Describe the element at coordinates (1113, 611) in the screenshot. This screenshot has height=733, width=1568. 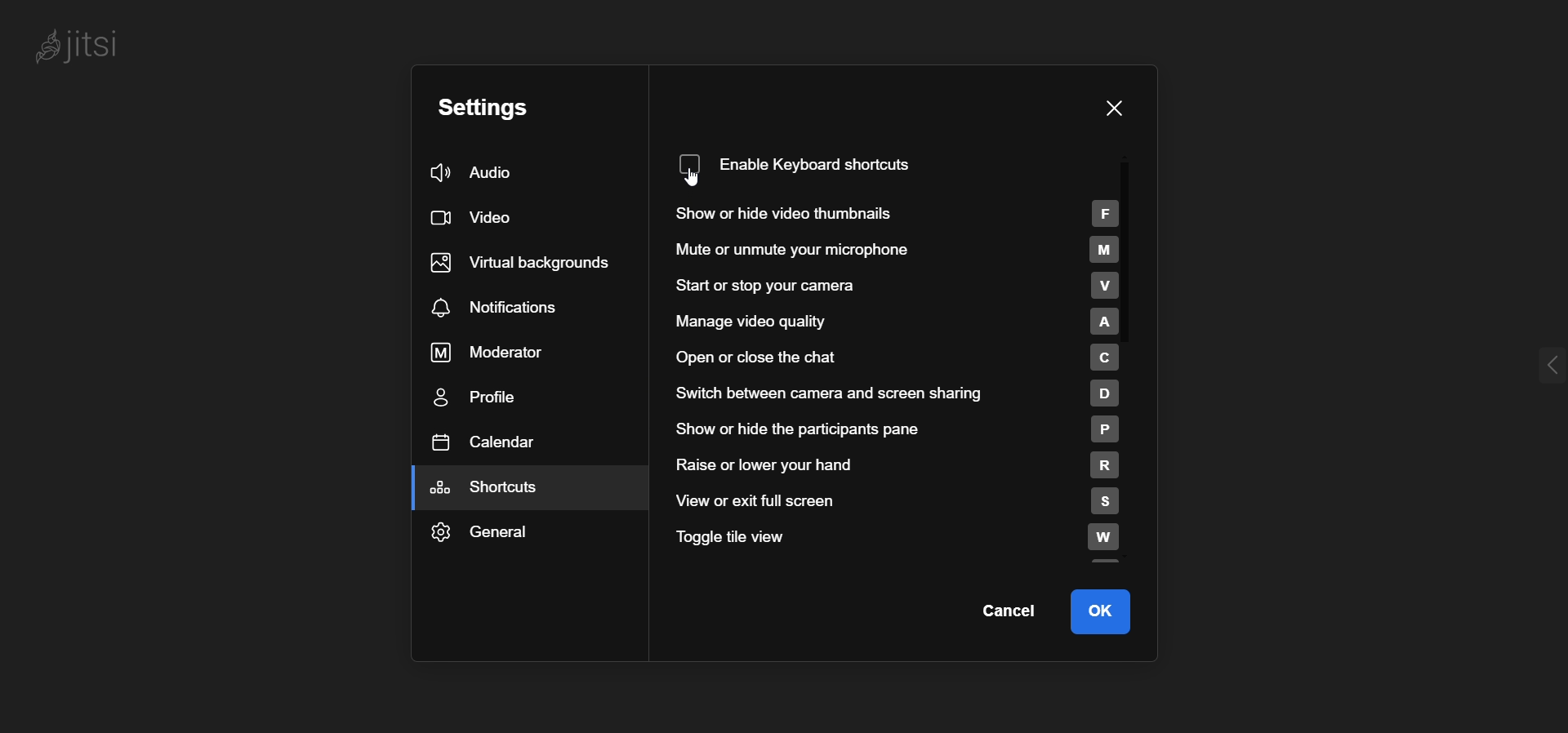
I see `ok` at that location.